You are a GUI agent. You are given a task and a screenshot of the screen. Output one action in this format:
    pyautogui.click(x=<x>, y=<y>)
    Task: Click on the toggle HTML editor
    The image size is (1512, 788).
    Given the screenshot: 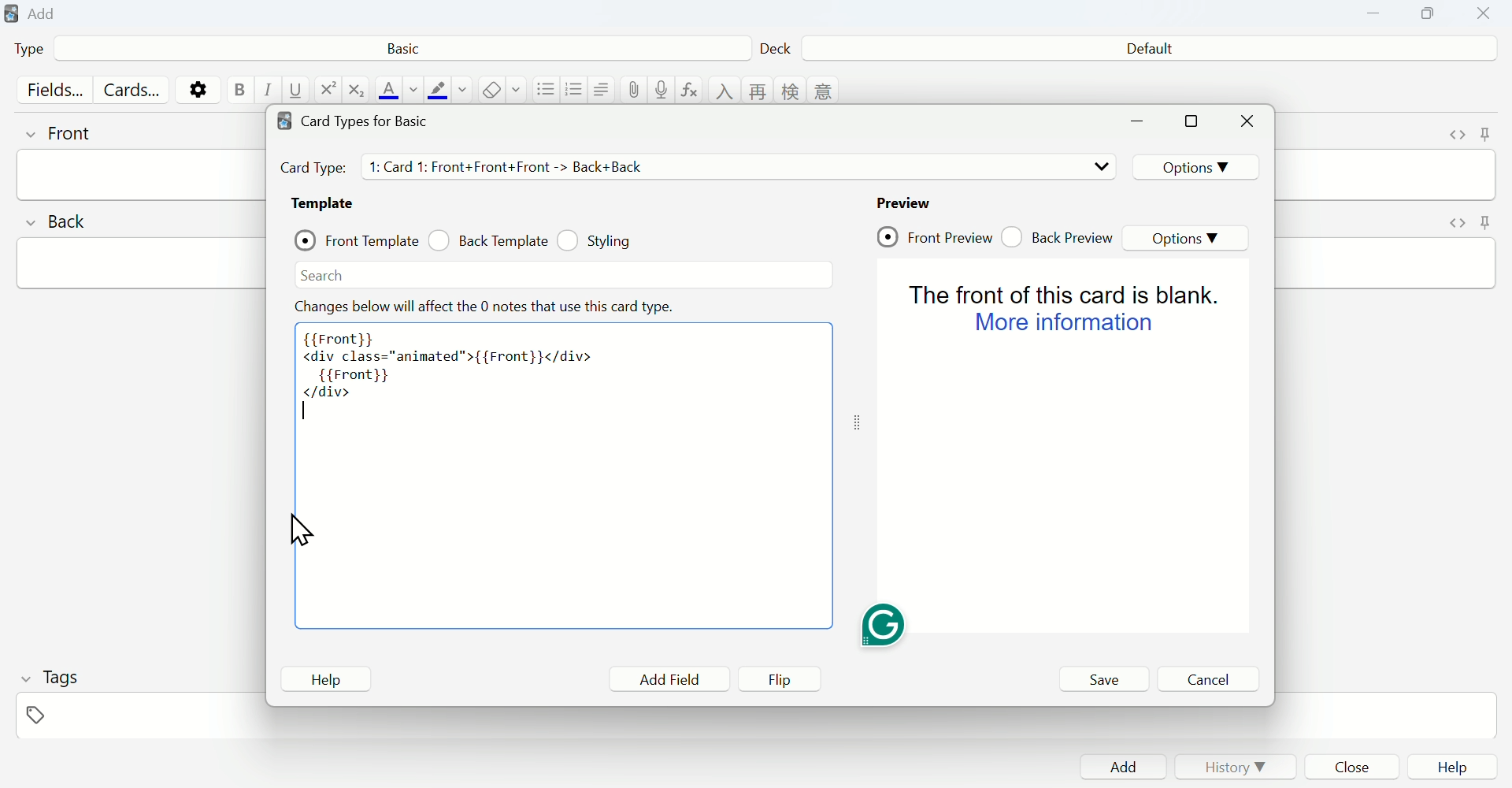 What is the action you would take?
    pyautogui.click(x=1458, y=222)
    